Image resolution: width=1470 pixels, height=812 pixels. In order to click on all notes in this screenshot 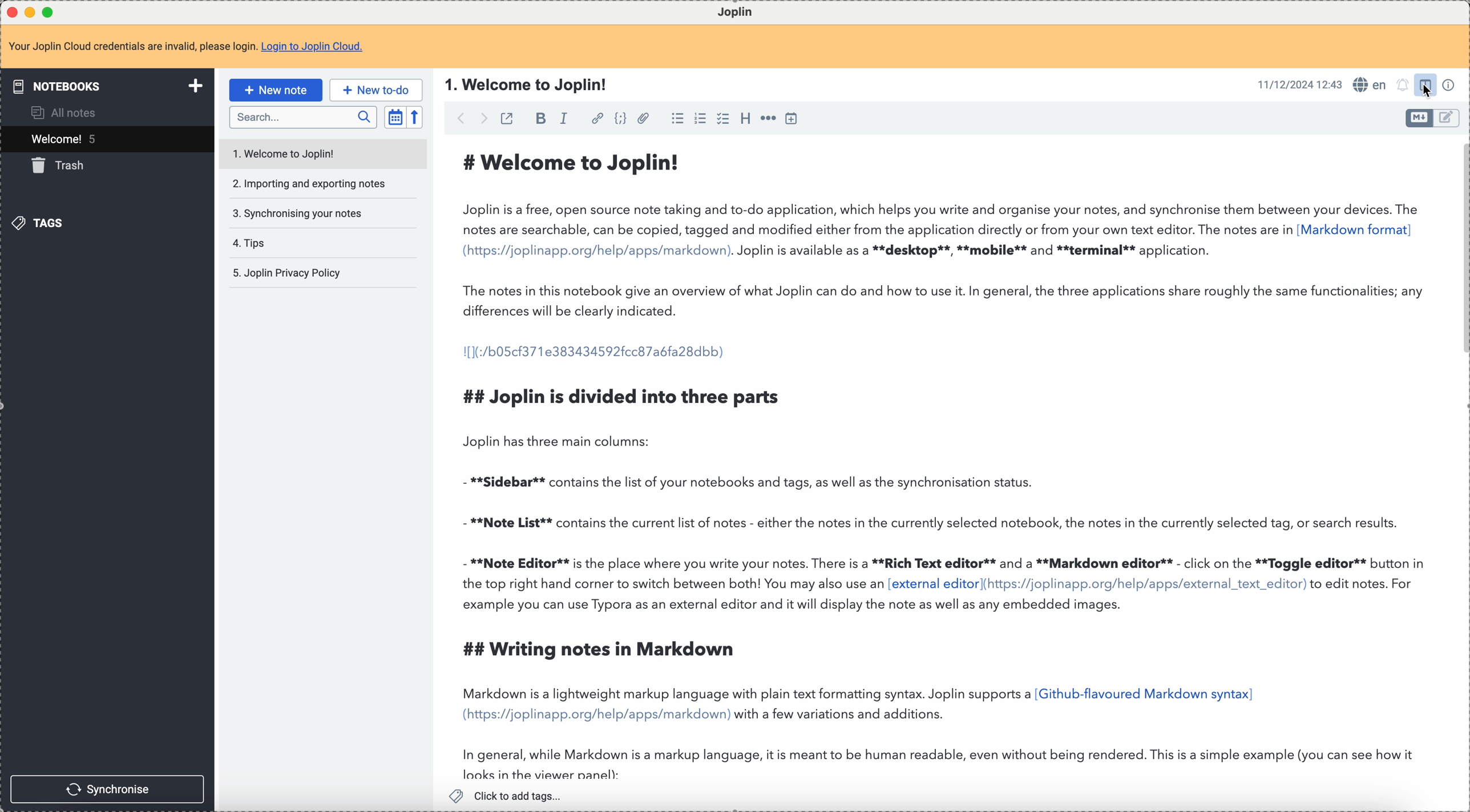, I will do `click(70, 112)`.